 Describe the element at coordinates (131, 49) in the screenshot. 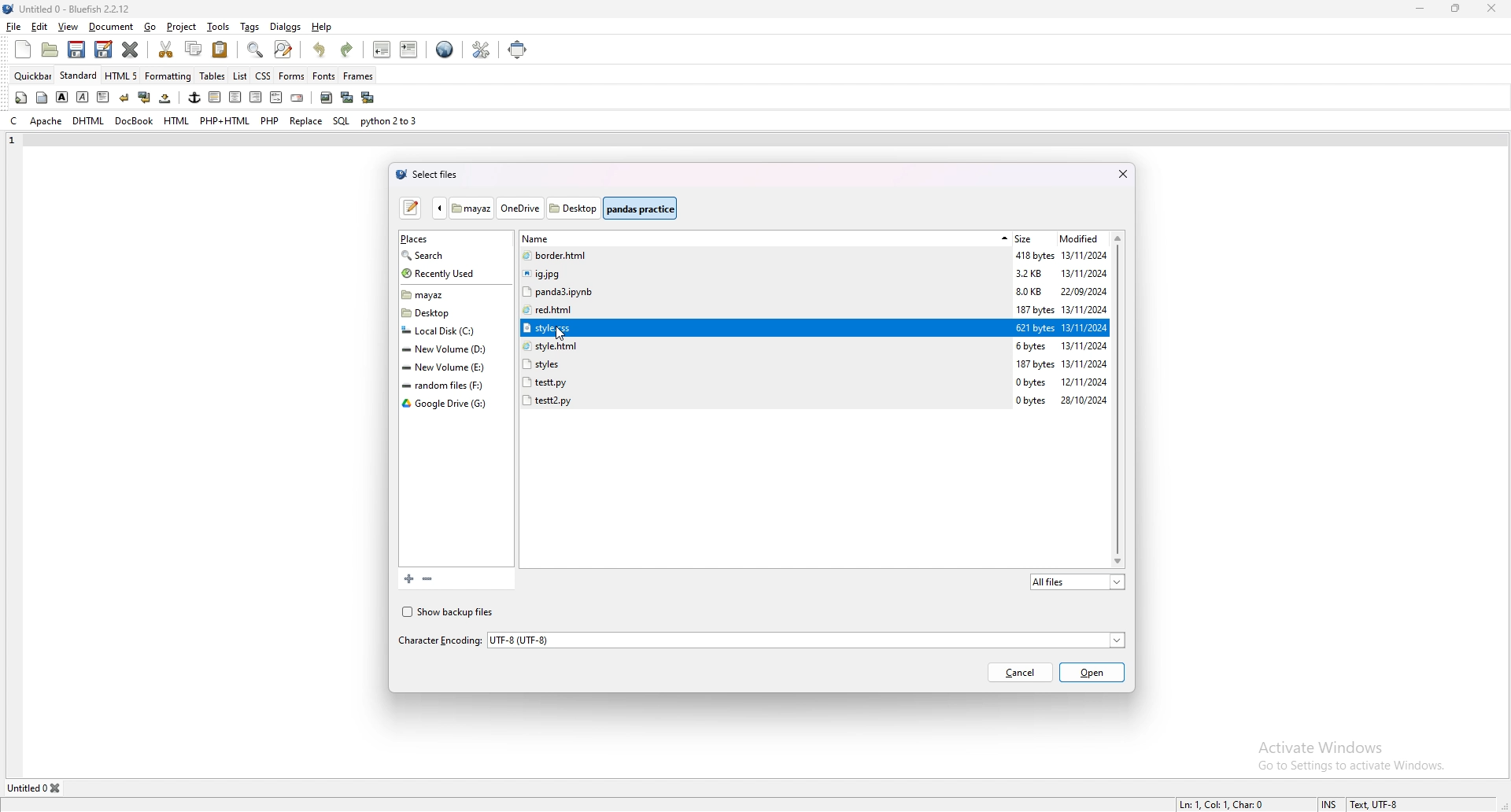

I see `close current file` at that location.